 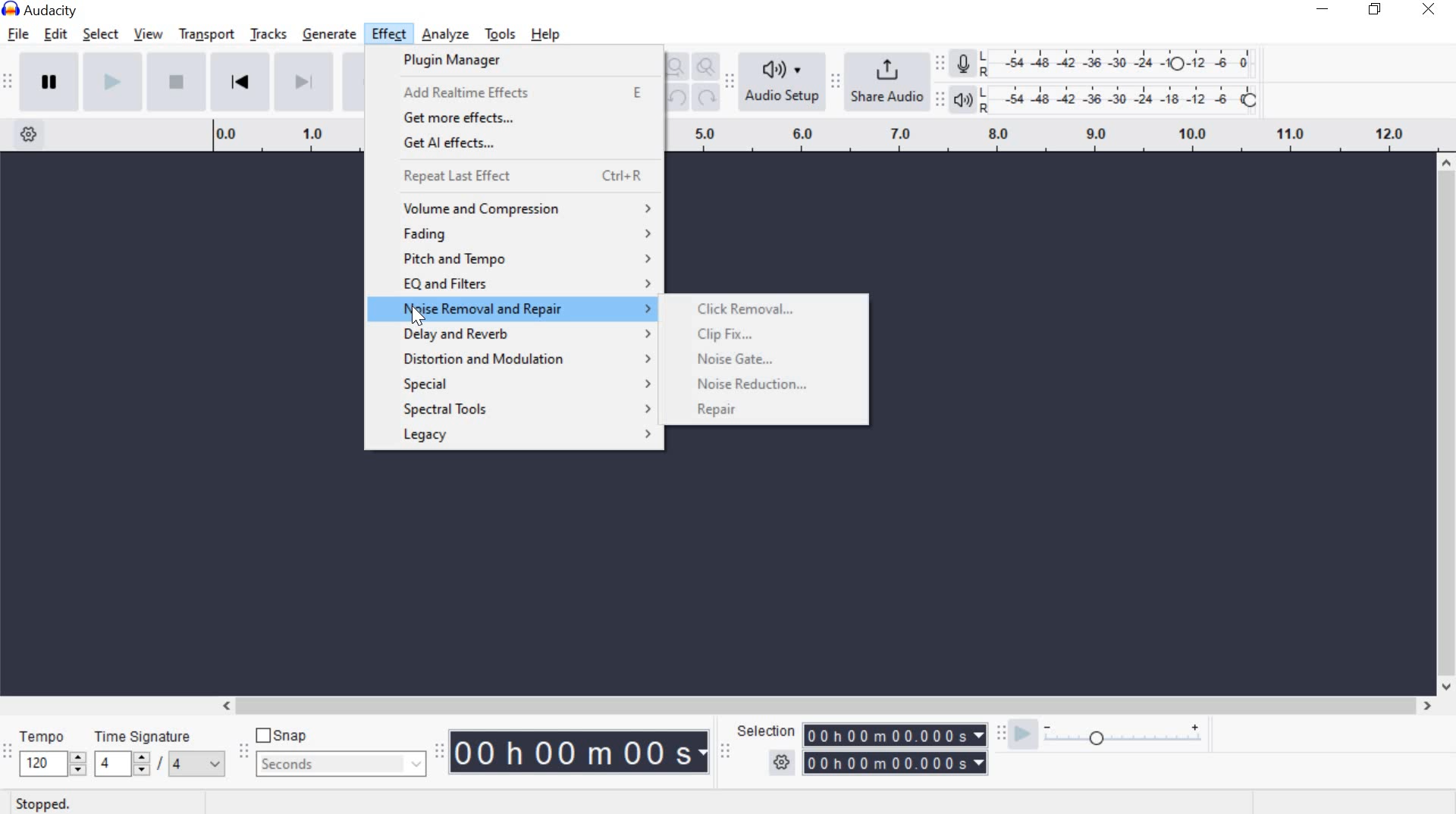 I want to click on noise reduction, so click(x=761, y=385).